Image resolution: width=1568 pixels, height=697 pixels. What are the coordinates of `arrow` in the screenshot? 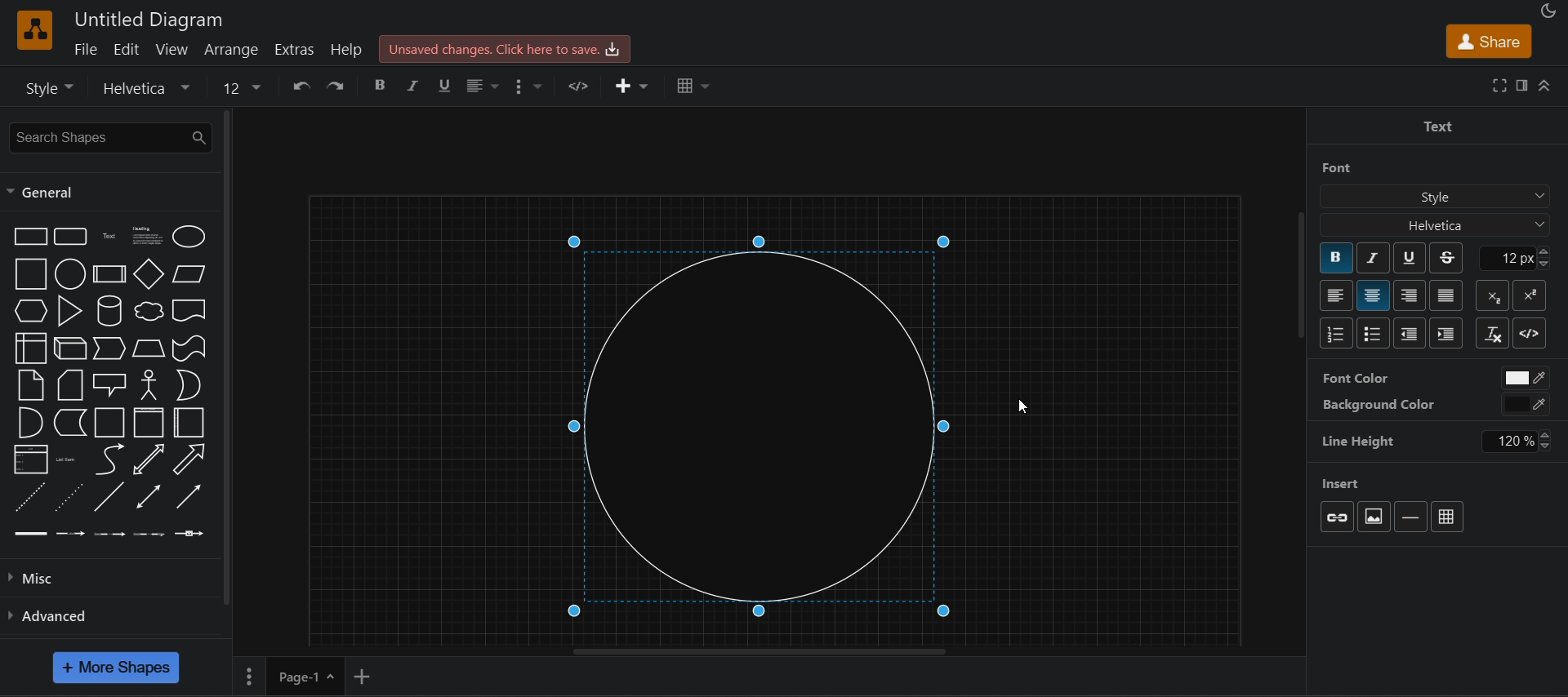 It's located at (192, 460).